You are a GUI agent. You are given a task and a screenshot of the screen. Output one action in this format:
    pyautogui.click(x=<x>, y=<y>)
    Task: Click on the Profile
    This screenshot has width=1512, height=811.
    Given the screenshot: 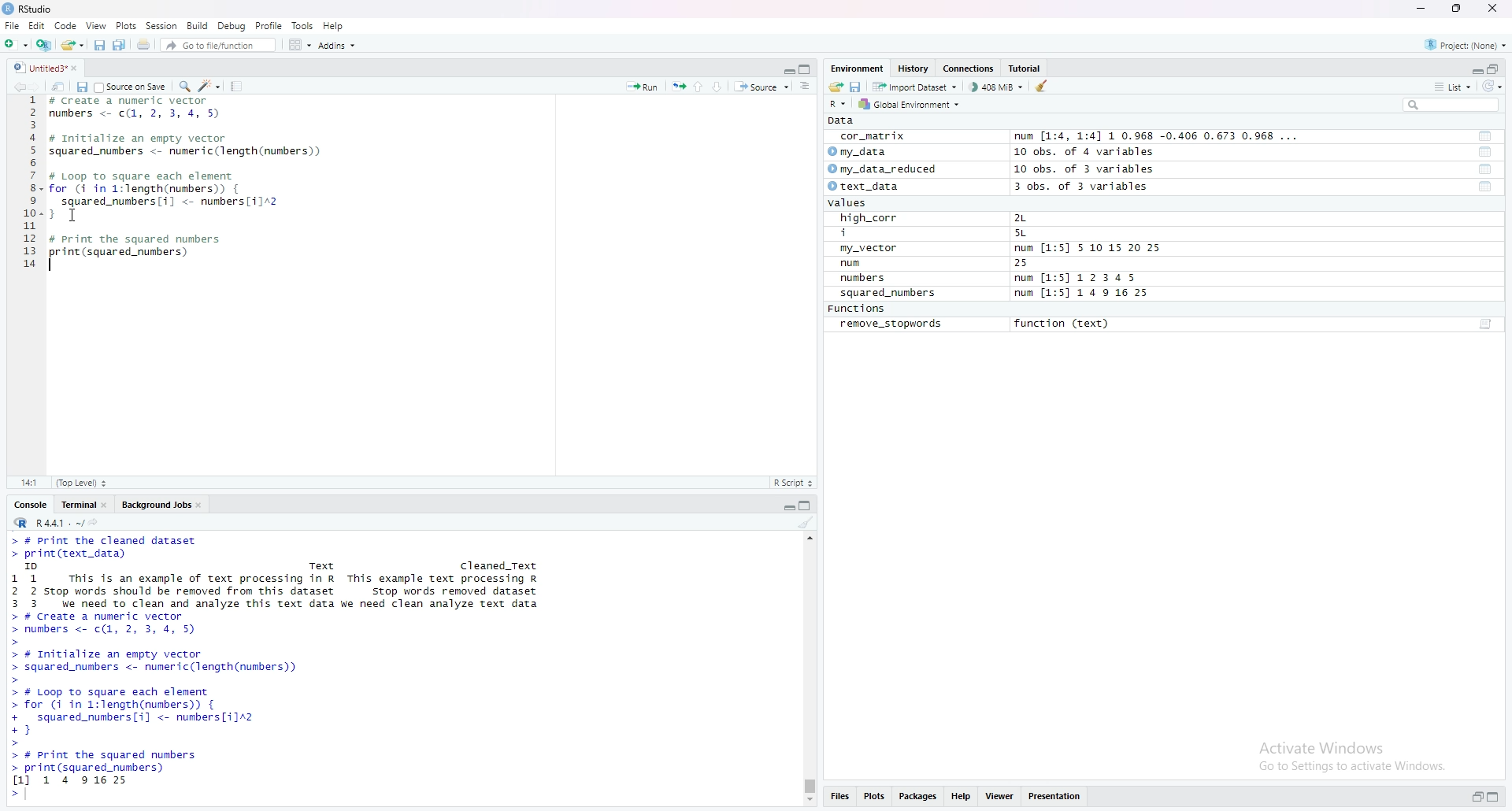 What is the action you would take?
    pyautogui.click(x=269, y=25)
    